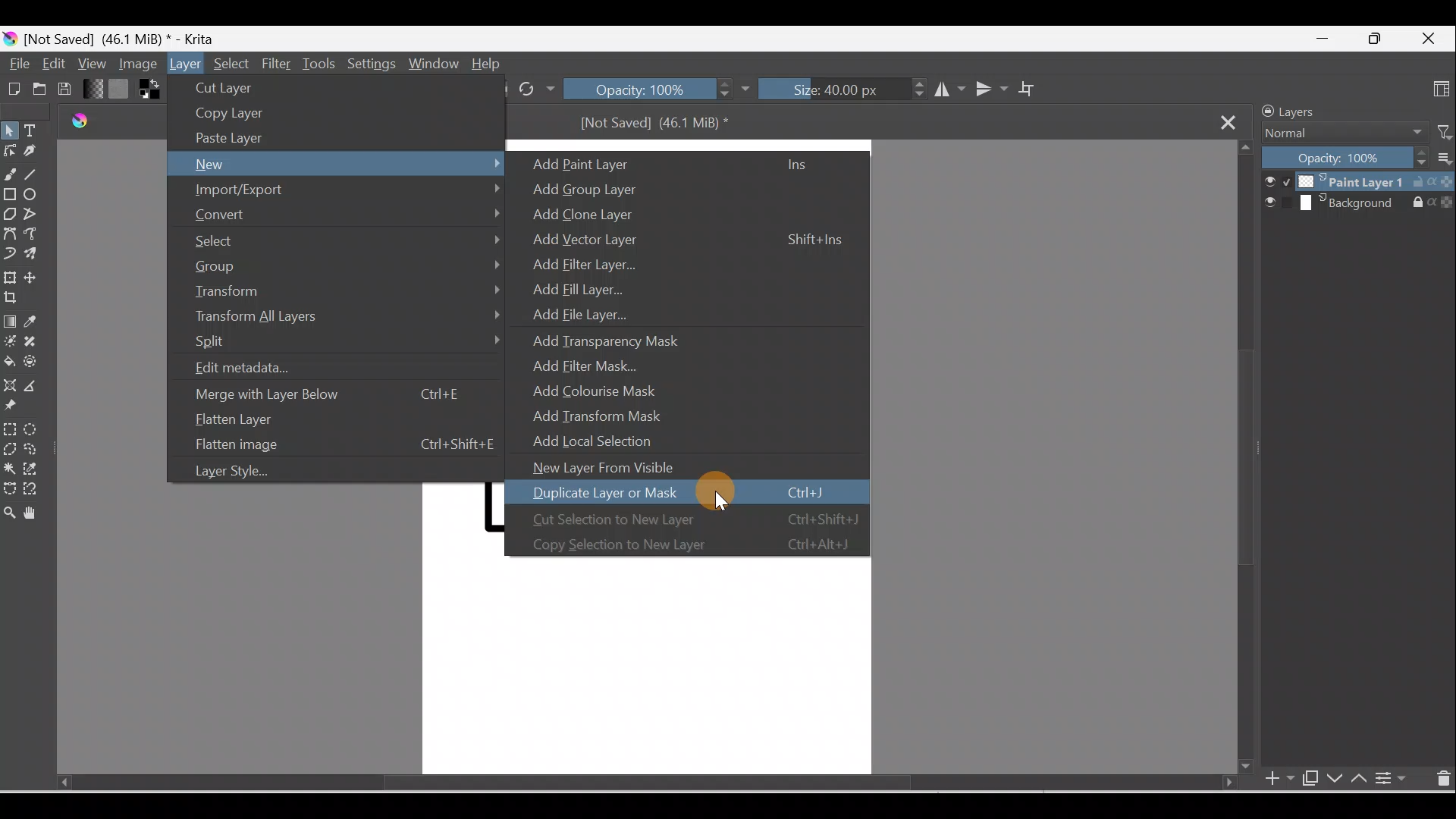 The image size is (1456, 819). What do you see at coordinates (11, 198) in the screenshot?
I see `Rectangle tool` at bounding box center [11, 198].